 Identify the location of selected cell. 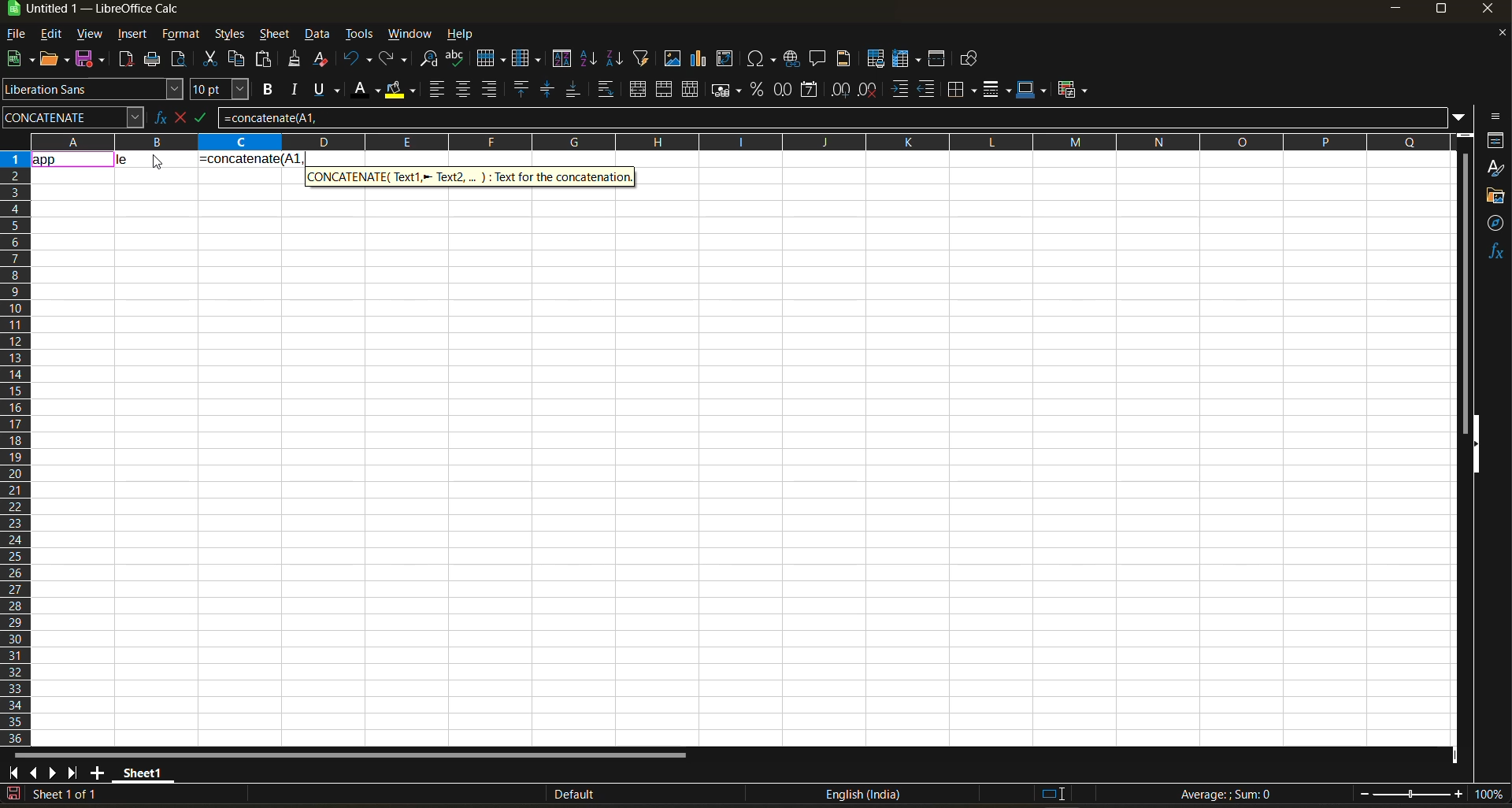
(72, 158).